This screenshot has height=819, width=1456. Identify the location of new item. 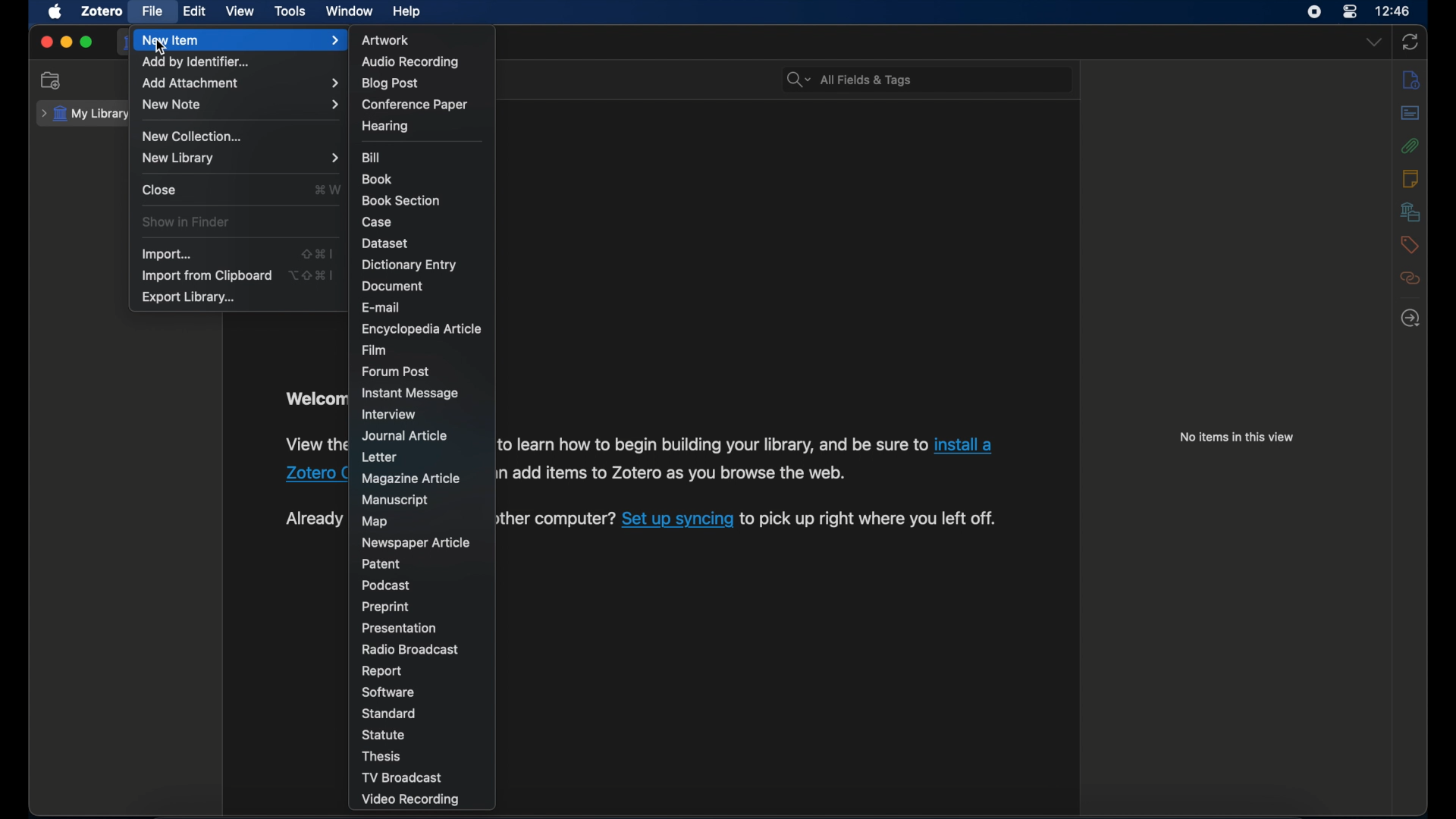
(240, 40).